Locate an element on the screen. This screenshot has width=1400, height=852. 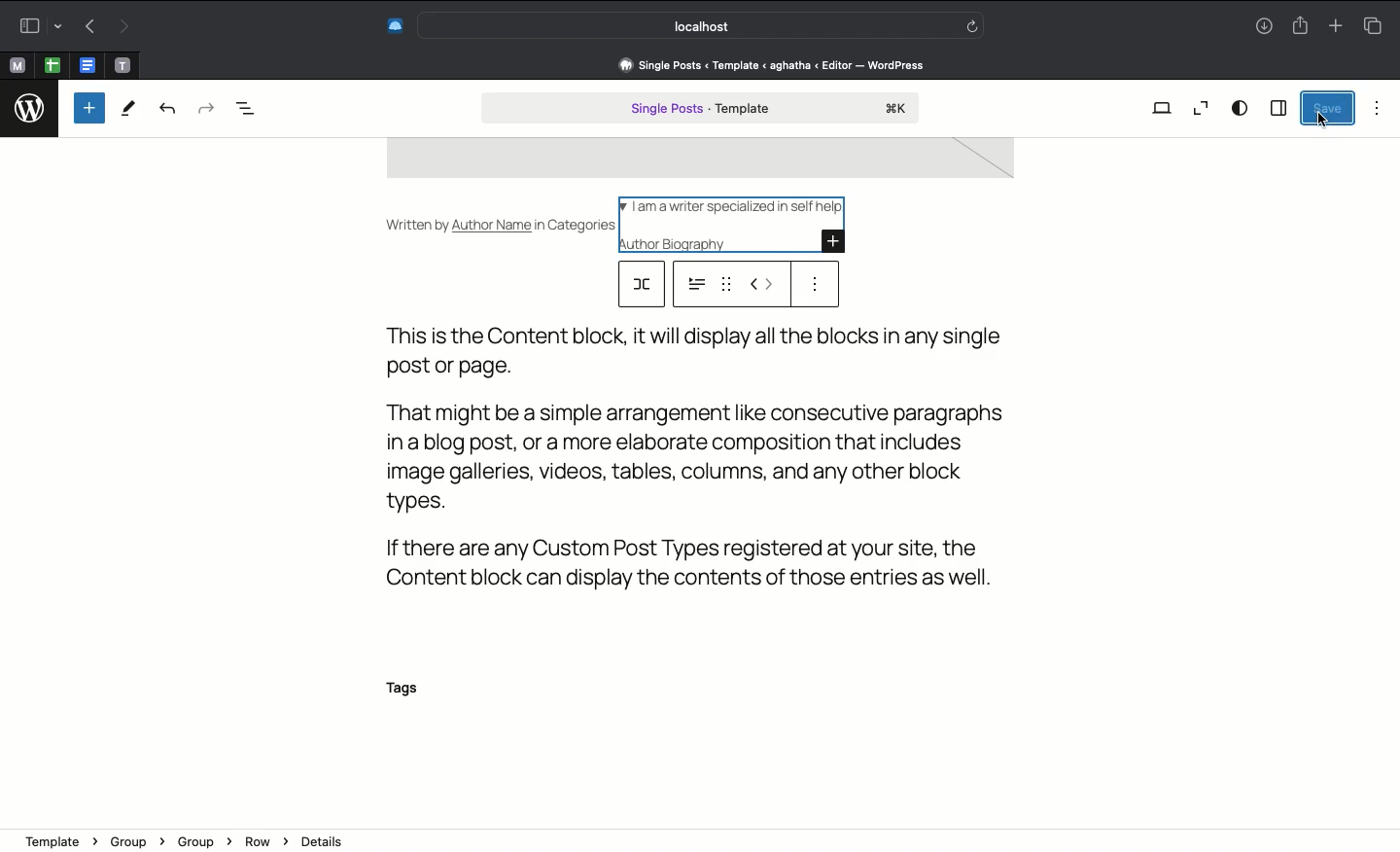
Zoom out is located at coordinates (1201, 108).